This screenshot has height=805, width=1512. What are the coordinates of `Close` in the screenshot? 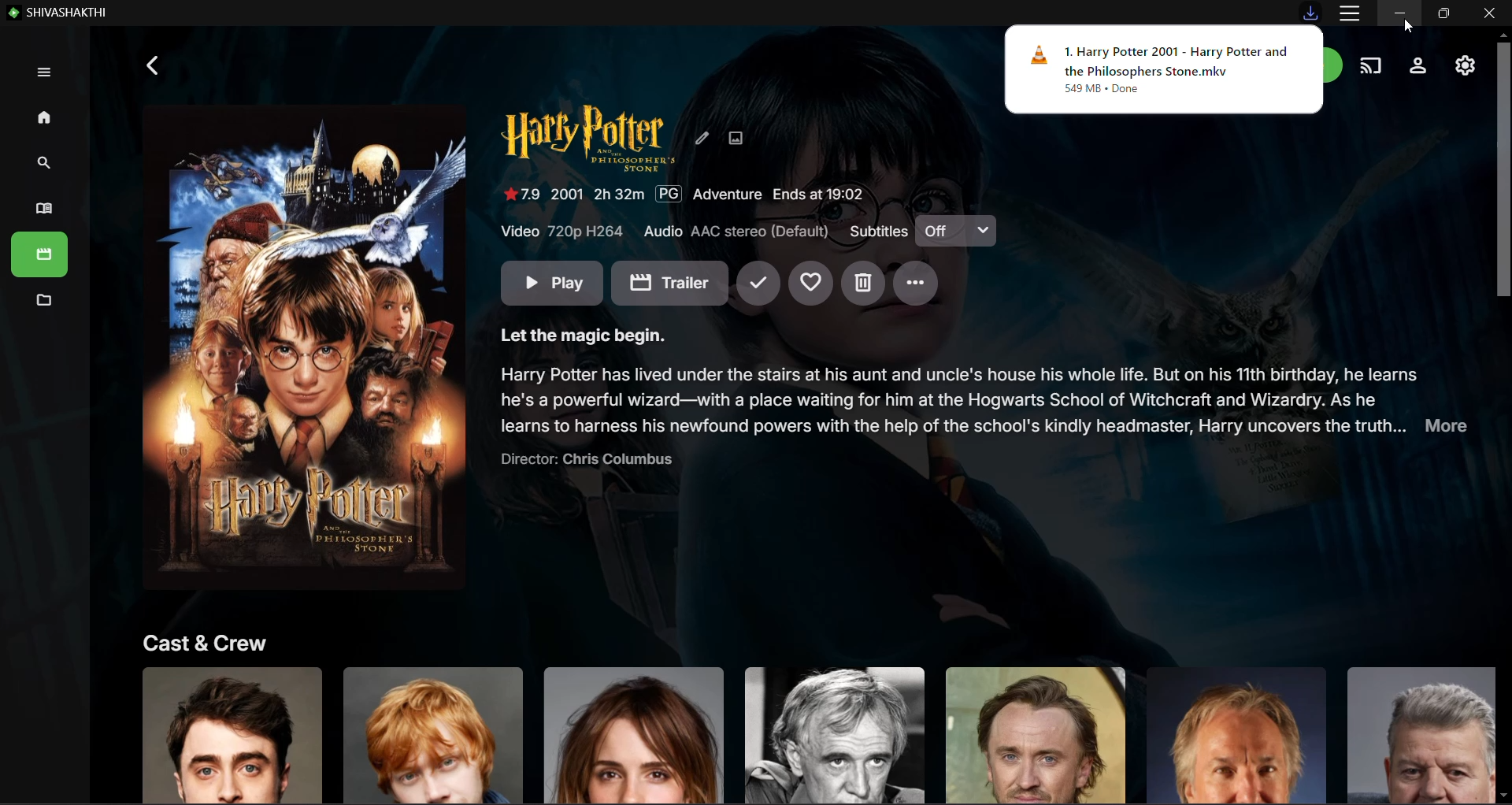 It's located at (1489, 13).